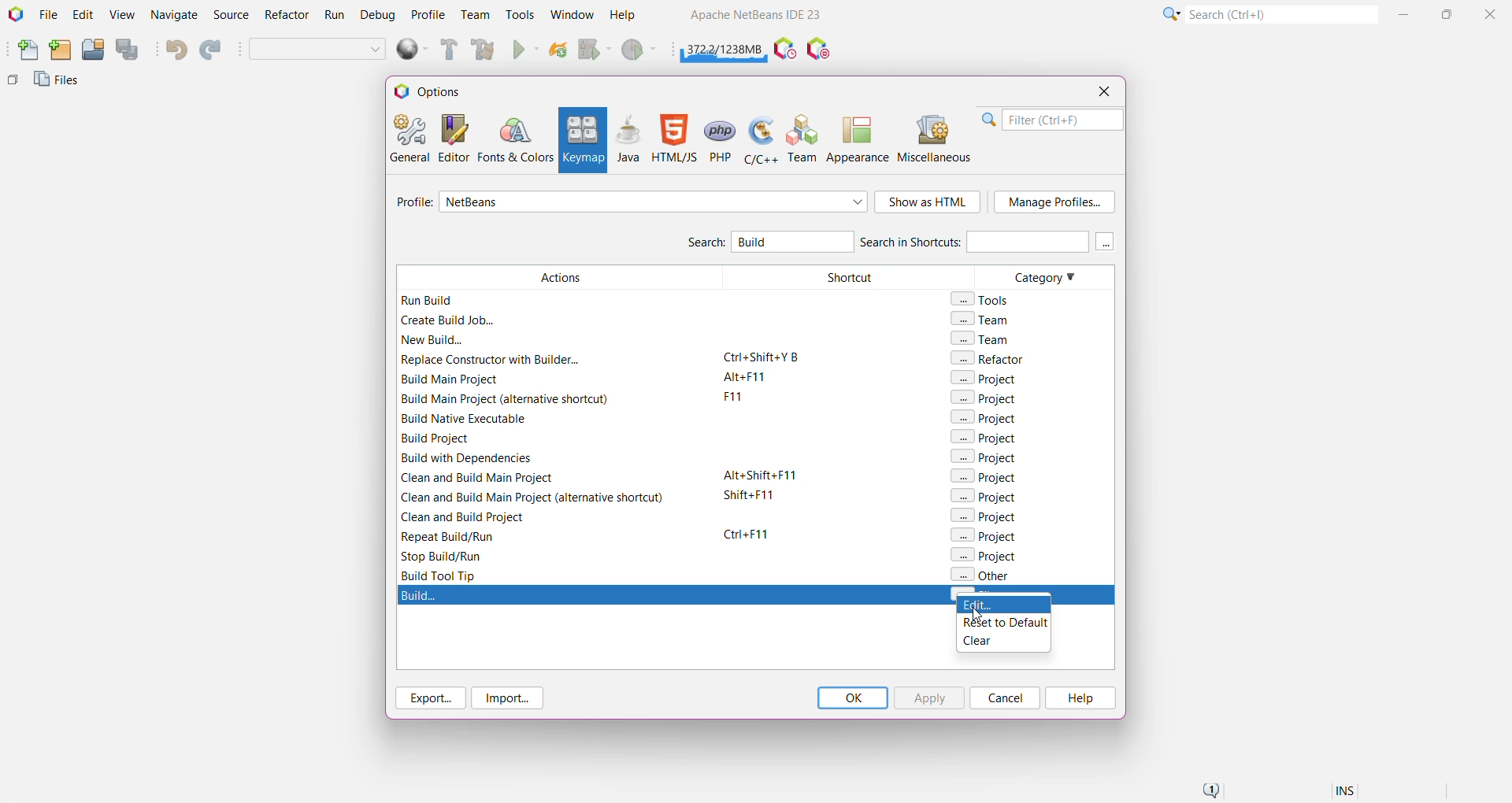  What do you see at coordinates (1052, 120) in the screenshot?
I see `Filter` at bounding box center [1052, 120].